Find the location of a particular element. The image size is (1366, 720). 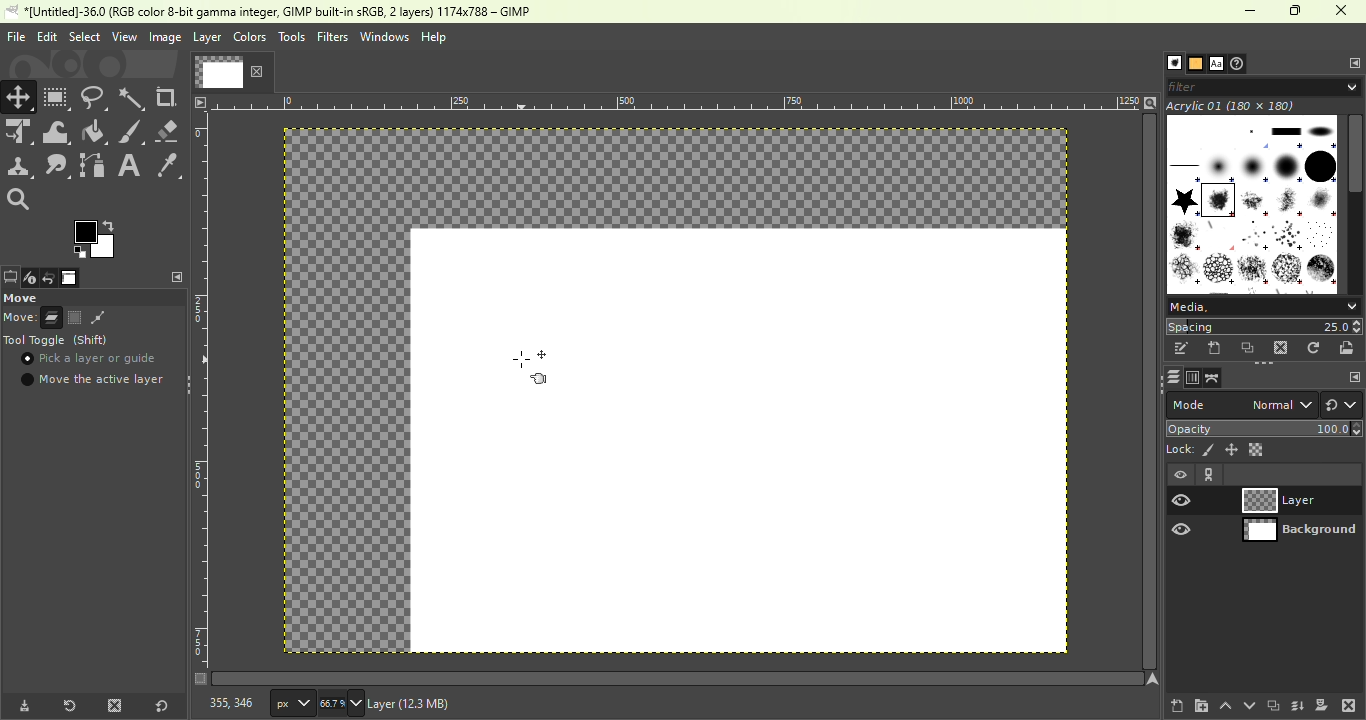

Layers is located at coordinates (1169, 377).